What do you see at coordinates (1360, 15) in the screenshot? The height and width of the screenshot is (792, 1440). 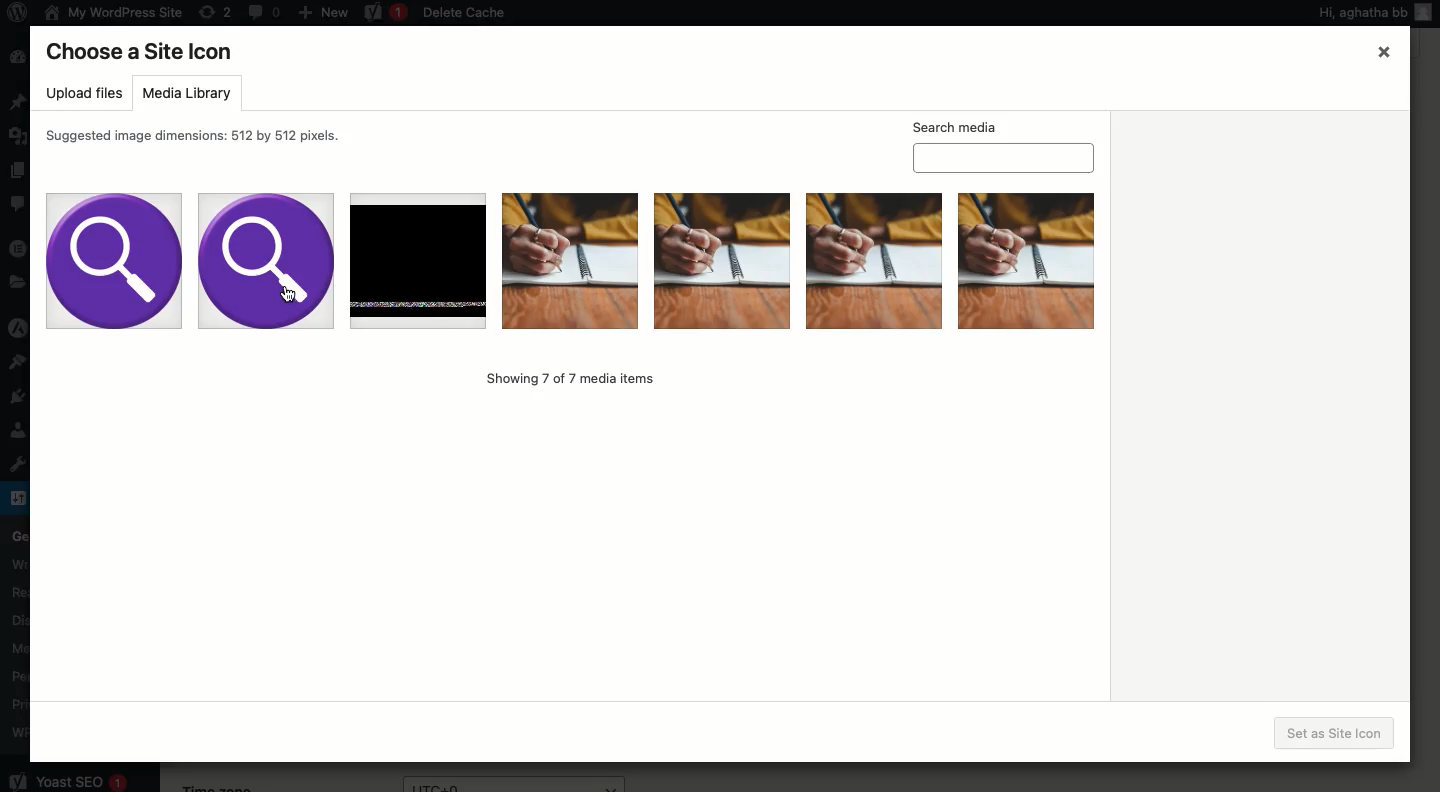 I see `Hi, agatha bb` at bounding box center [1360, 15].